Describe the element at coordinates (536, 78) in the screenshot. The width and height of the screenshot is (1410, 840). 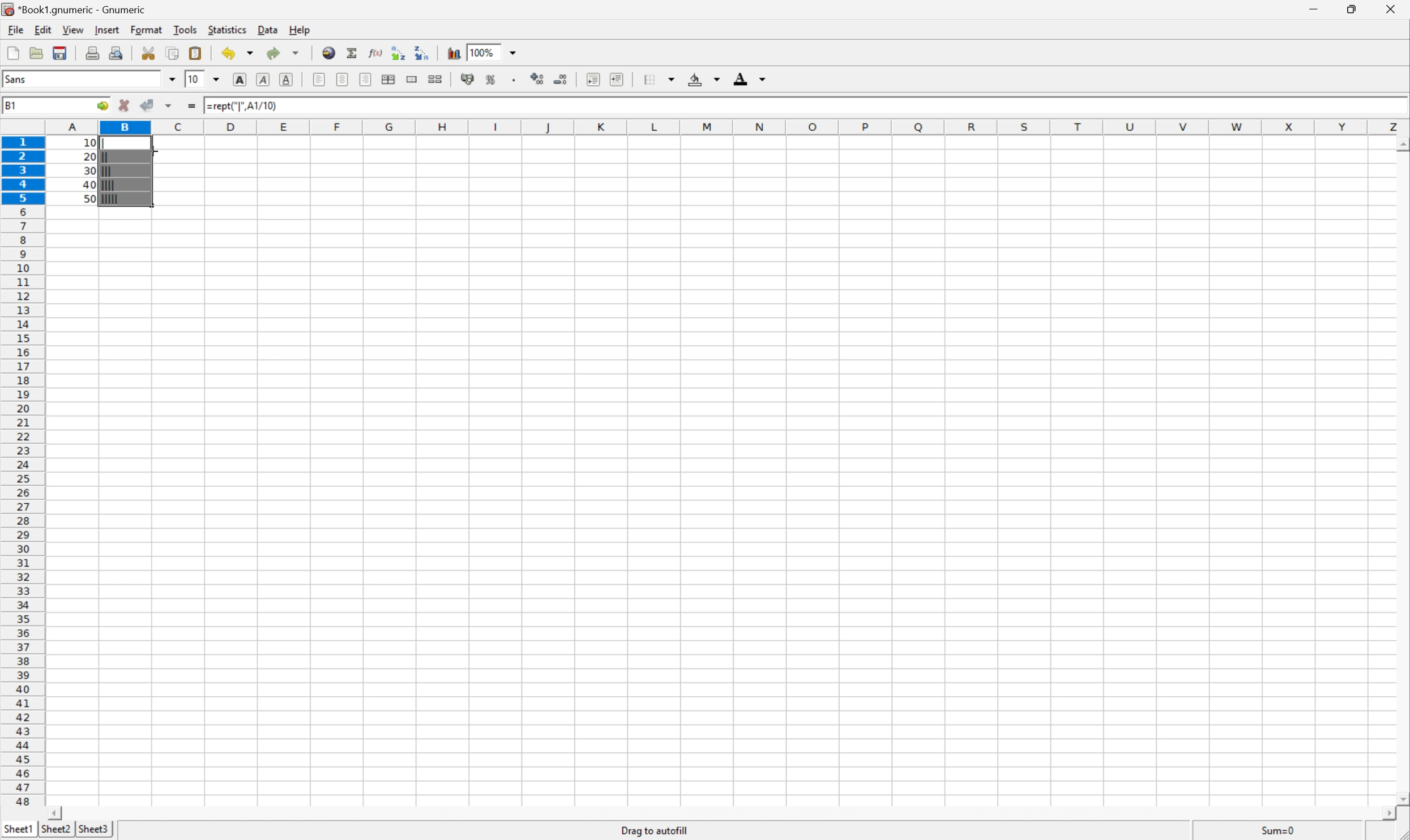
I see `Increase the number of decimals displayed` at that location.